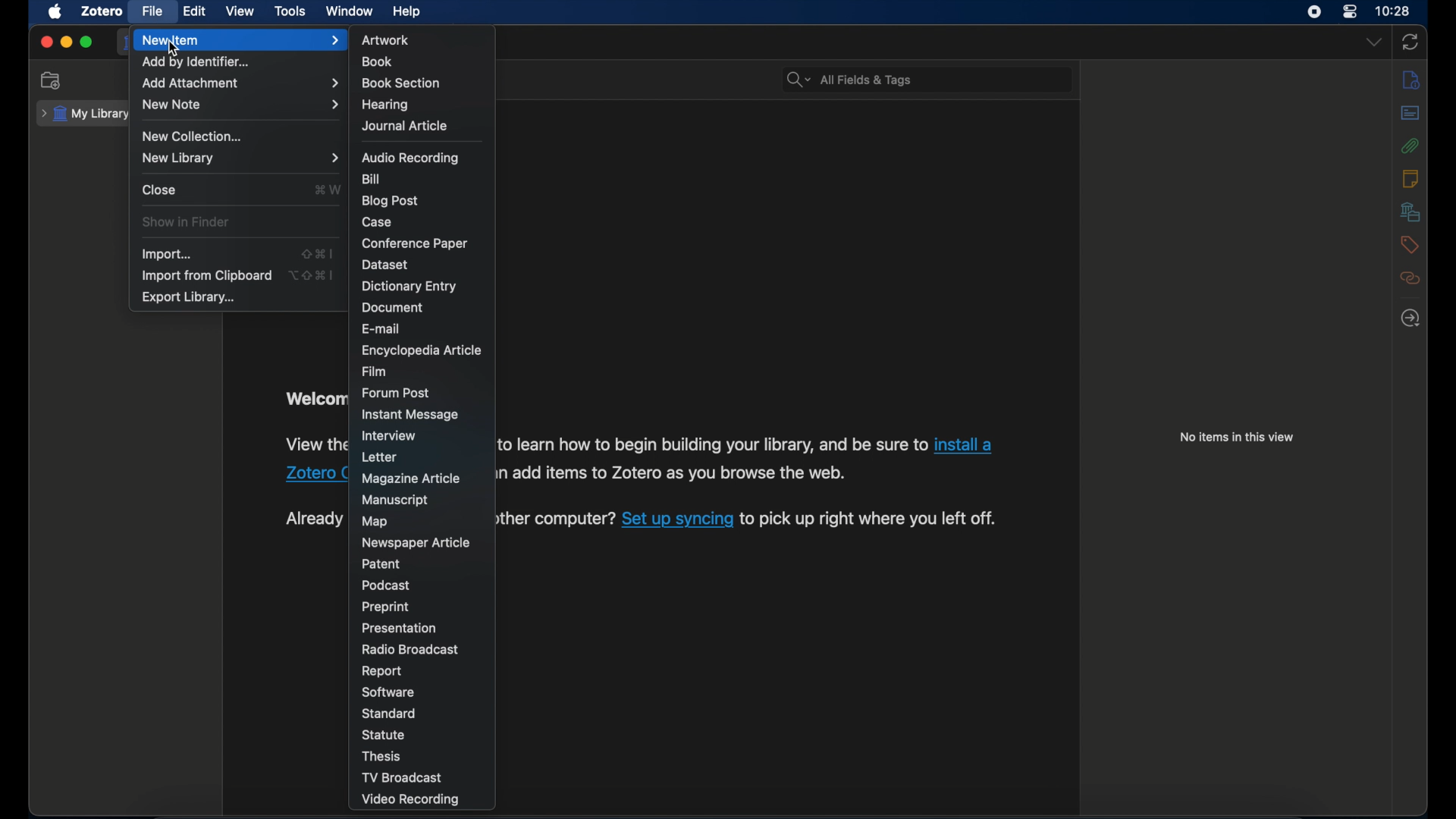 This screenshot has width=1456, height=819. Describe the element at coordinates (416, 542) in the screenshot. I see `newspaper article` at that location.